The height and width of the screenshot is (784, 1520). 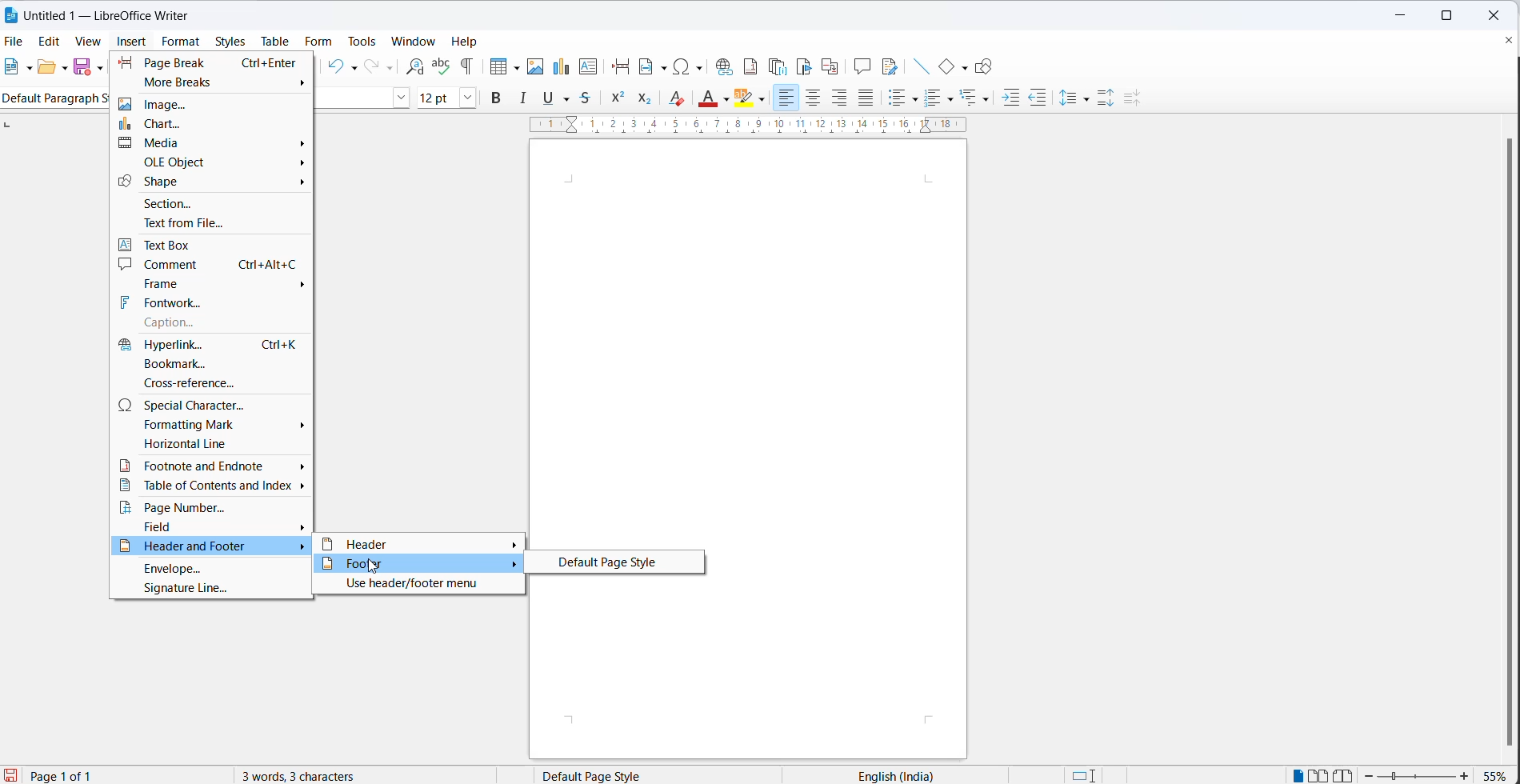 I want to click on insert cell, so click(x=495, y=66).